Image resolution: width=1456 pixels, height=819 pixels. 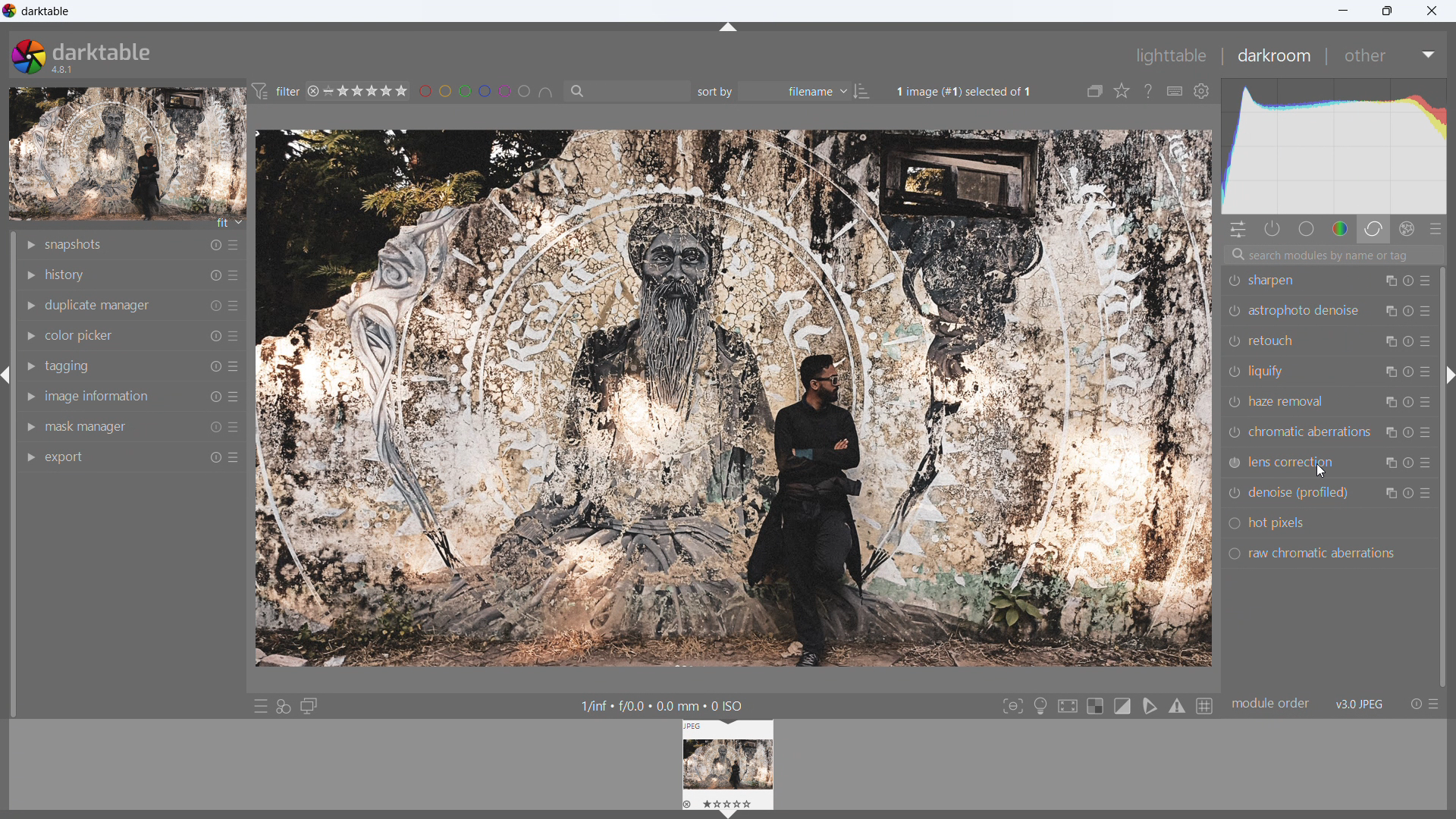 What do you see at coordinates (1096, 91) in the screenshot?
I see `collapse grouped images` at bounding box center [1096, 91].